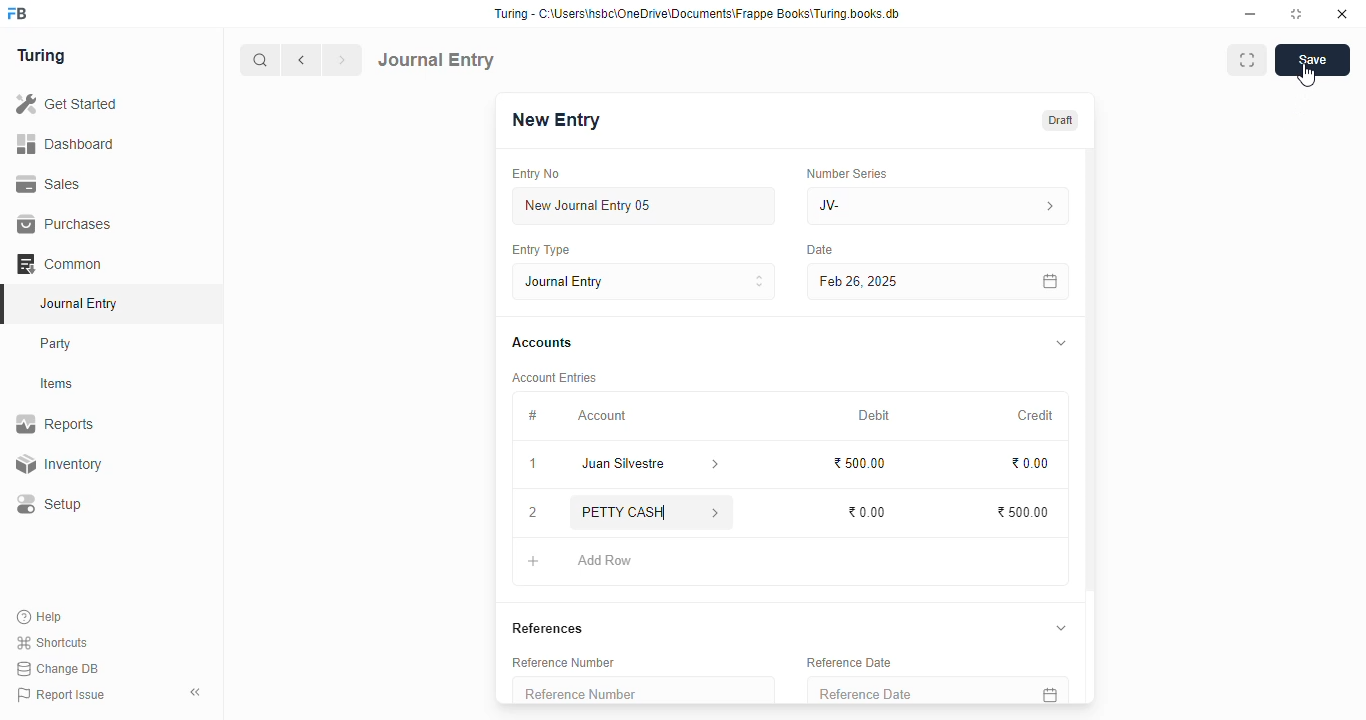 This screenshot has width=1366, height=720. I want to click on entry type, so click(541, 250).